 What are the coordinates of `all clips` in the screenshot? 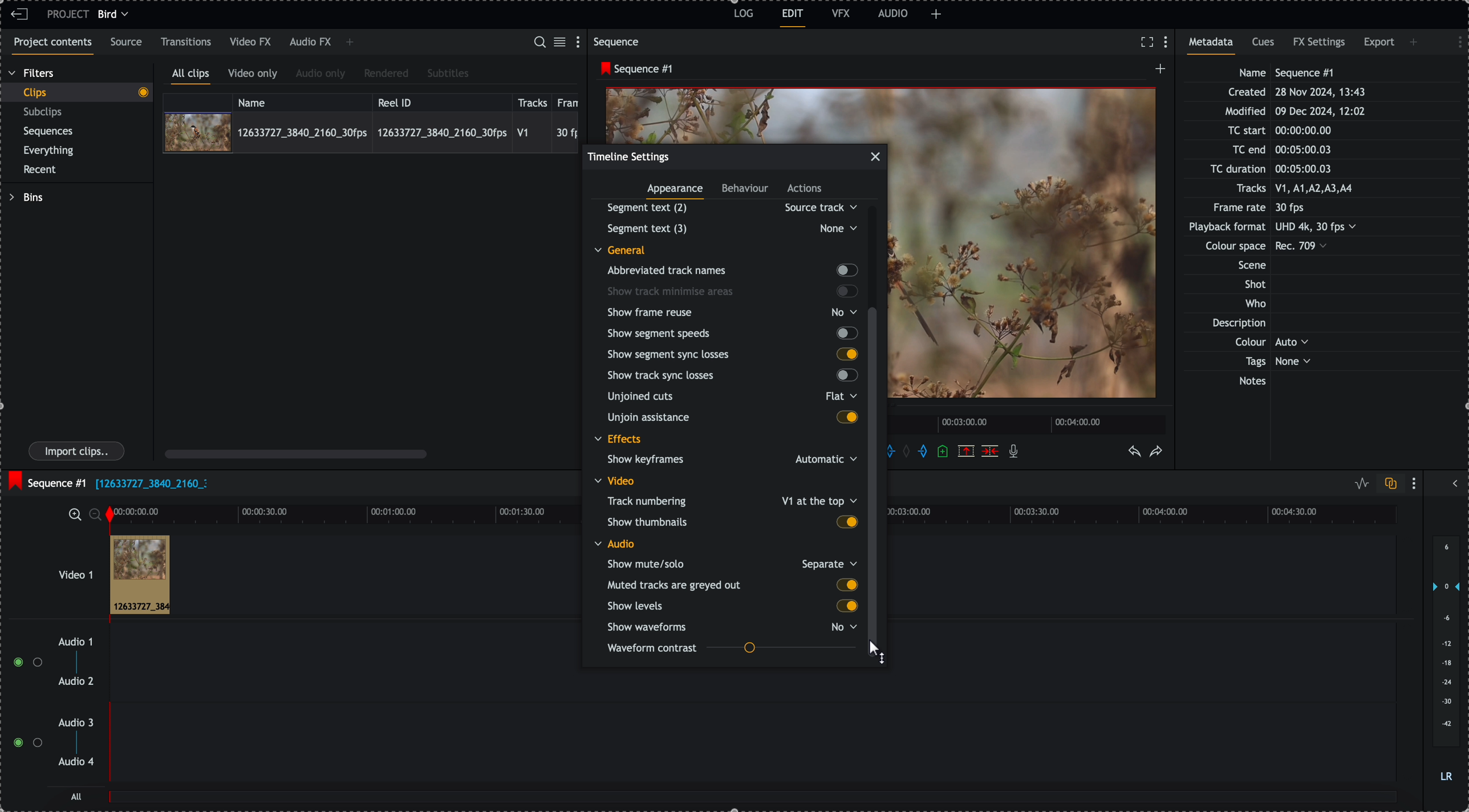 It's located at (191, 76).